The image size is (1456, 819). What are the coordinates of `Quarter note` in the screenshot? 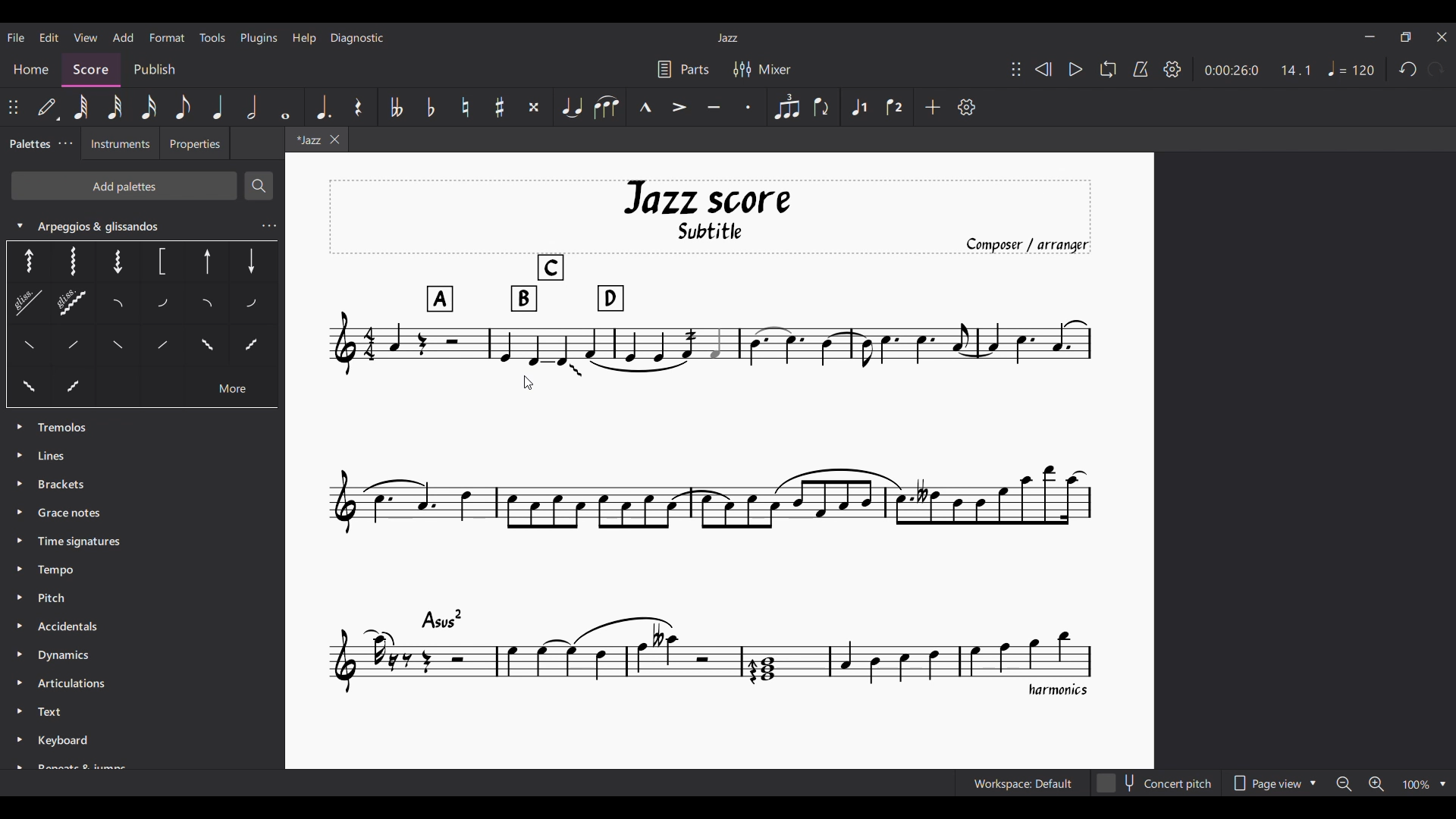 It's located at (217, 107).